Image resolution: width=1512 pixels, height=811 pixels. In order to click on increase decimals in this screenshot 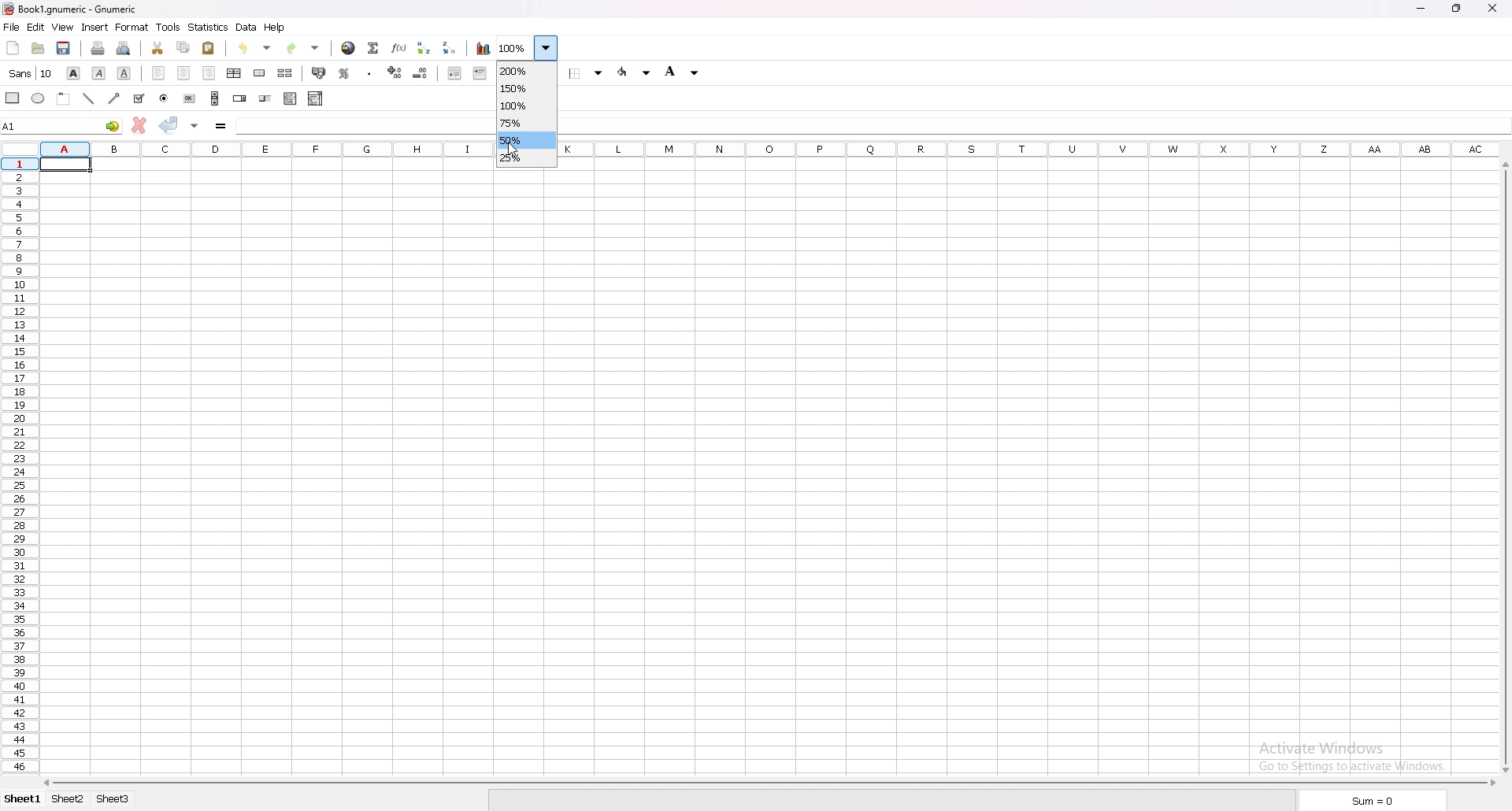, I will do `click(395, 72)`.